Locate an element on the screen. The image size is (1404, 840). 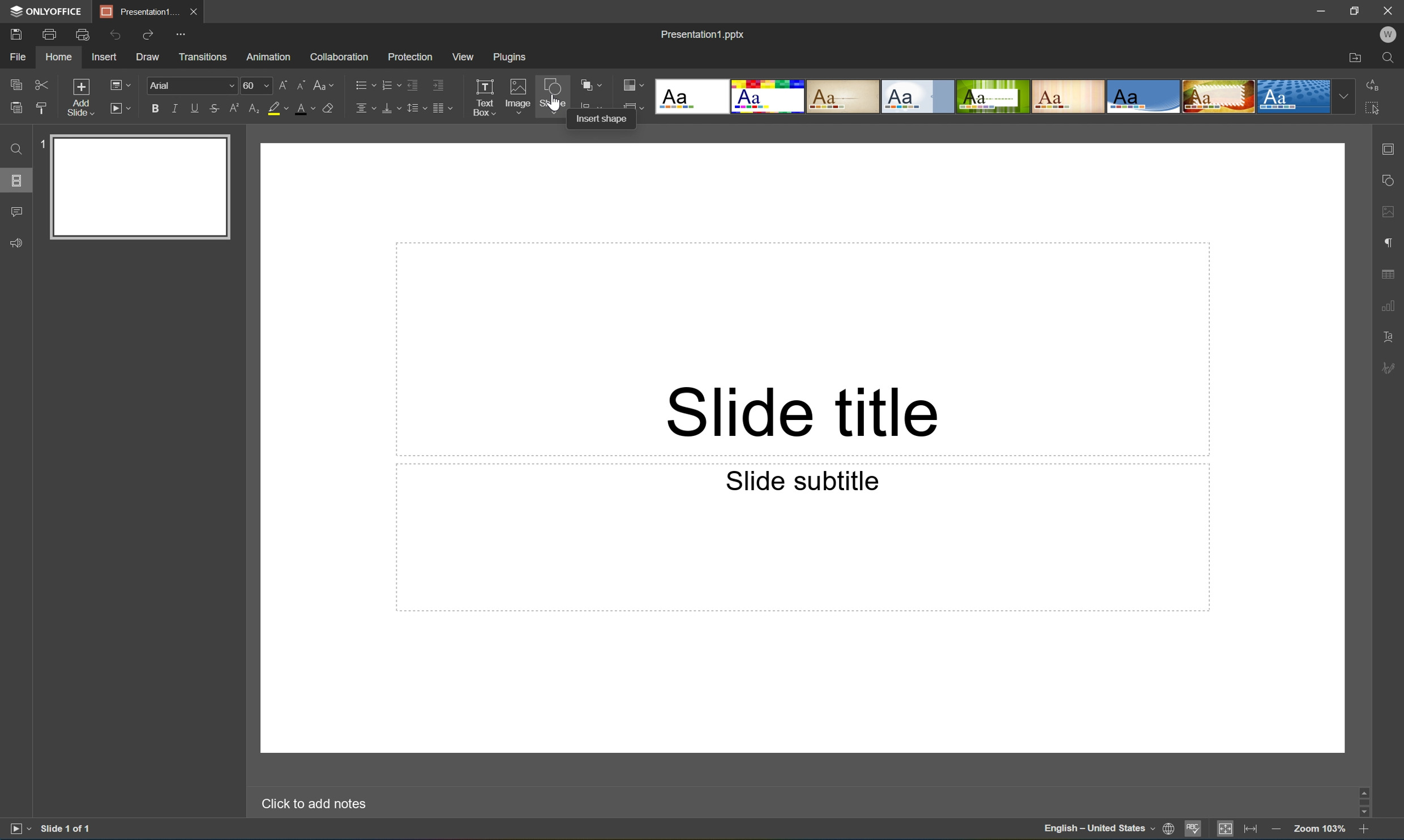
Start slideshow is located at coordinates (122, 109).